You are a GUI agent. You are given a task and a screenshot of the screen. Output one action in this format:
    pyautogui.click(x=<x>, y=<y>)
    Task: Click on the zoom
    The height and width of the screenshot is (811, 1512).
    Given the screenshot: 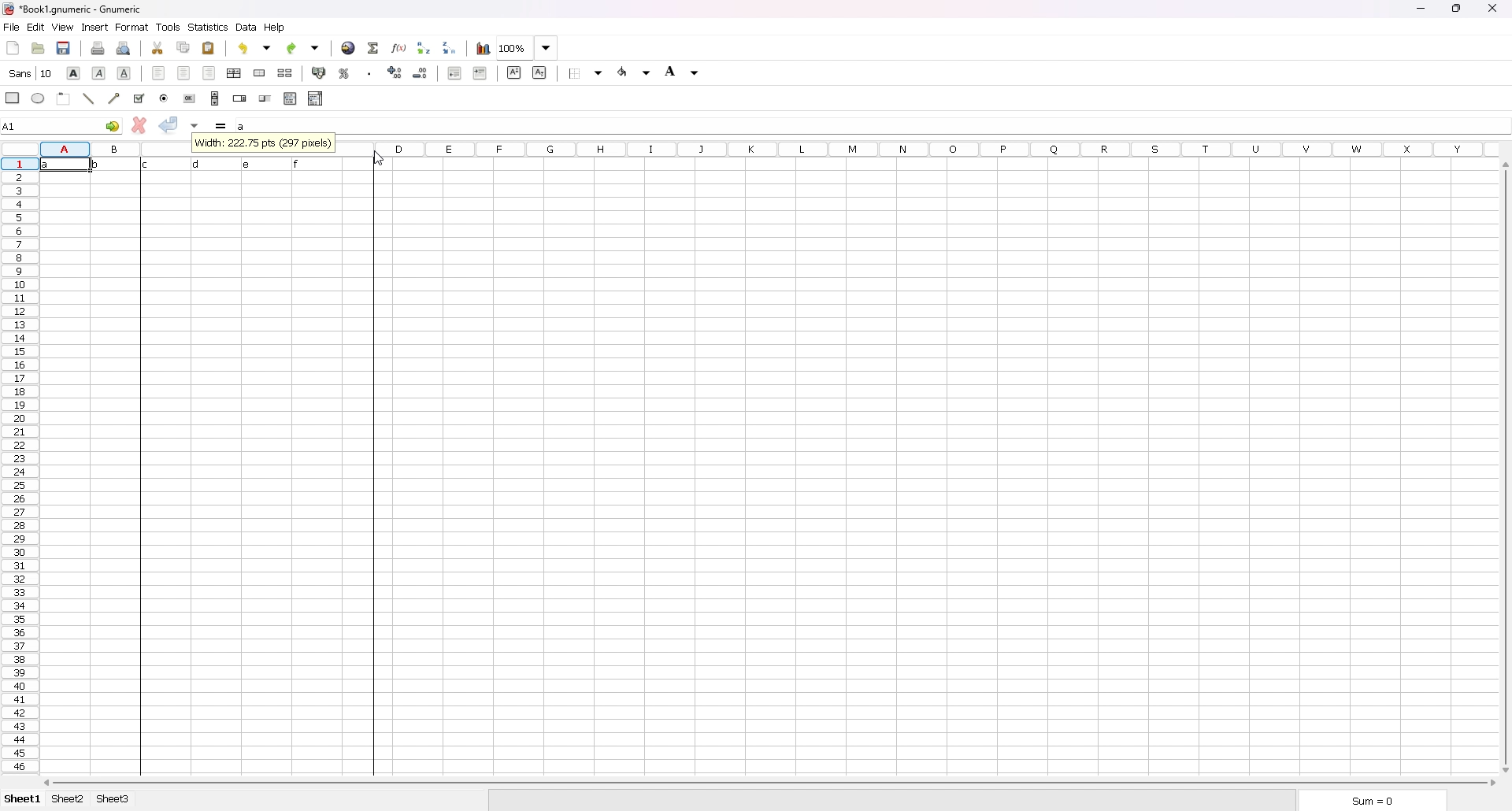 What is the action you would take?
    pyautogui.click(x=528, y=48)
    